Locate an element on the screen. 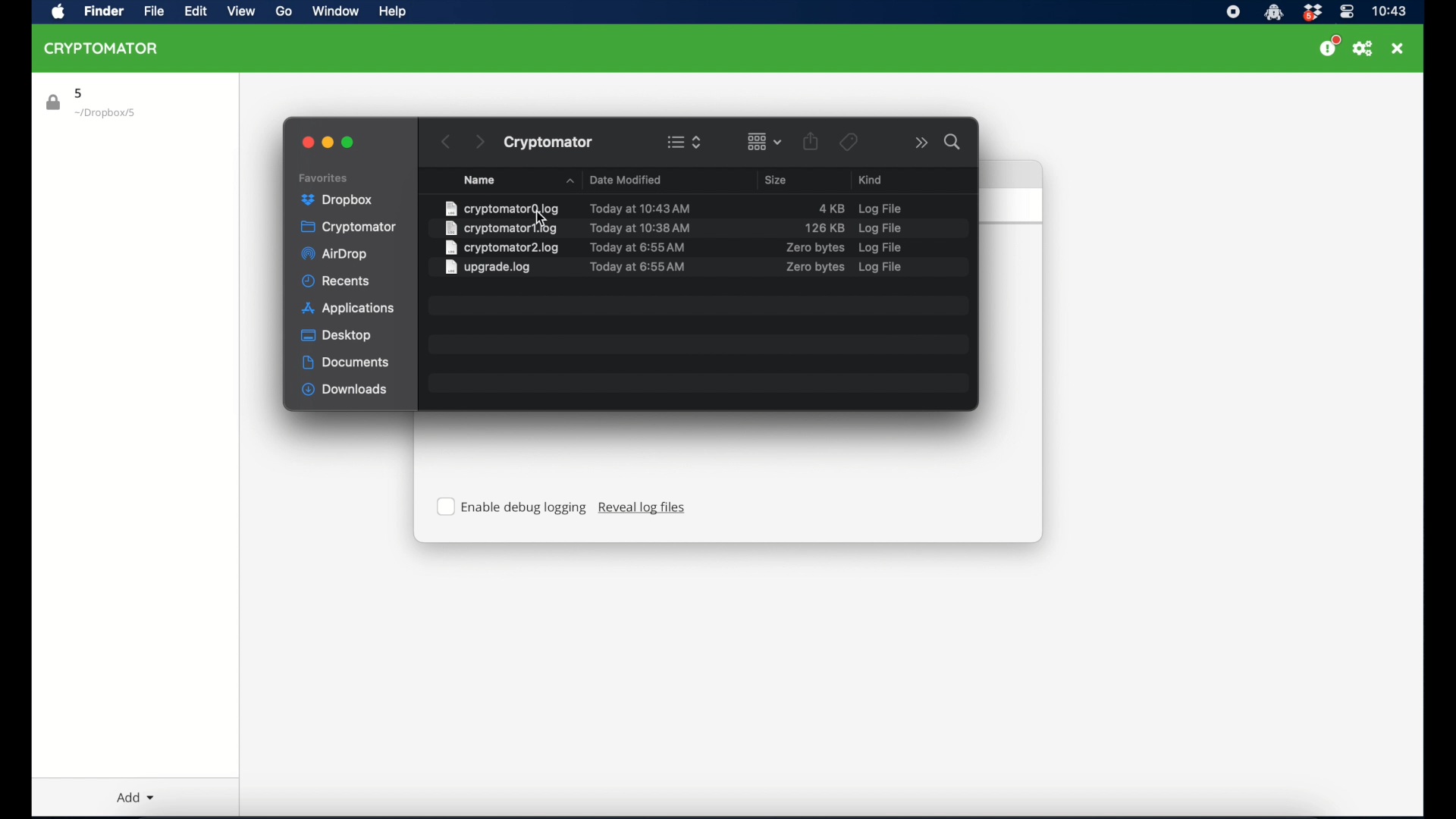 The width and height of the screenshot is (1456, 819). go is located at coordinates (284, 11).